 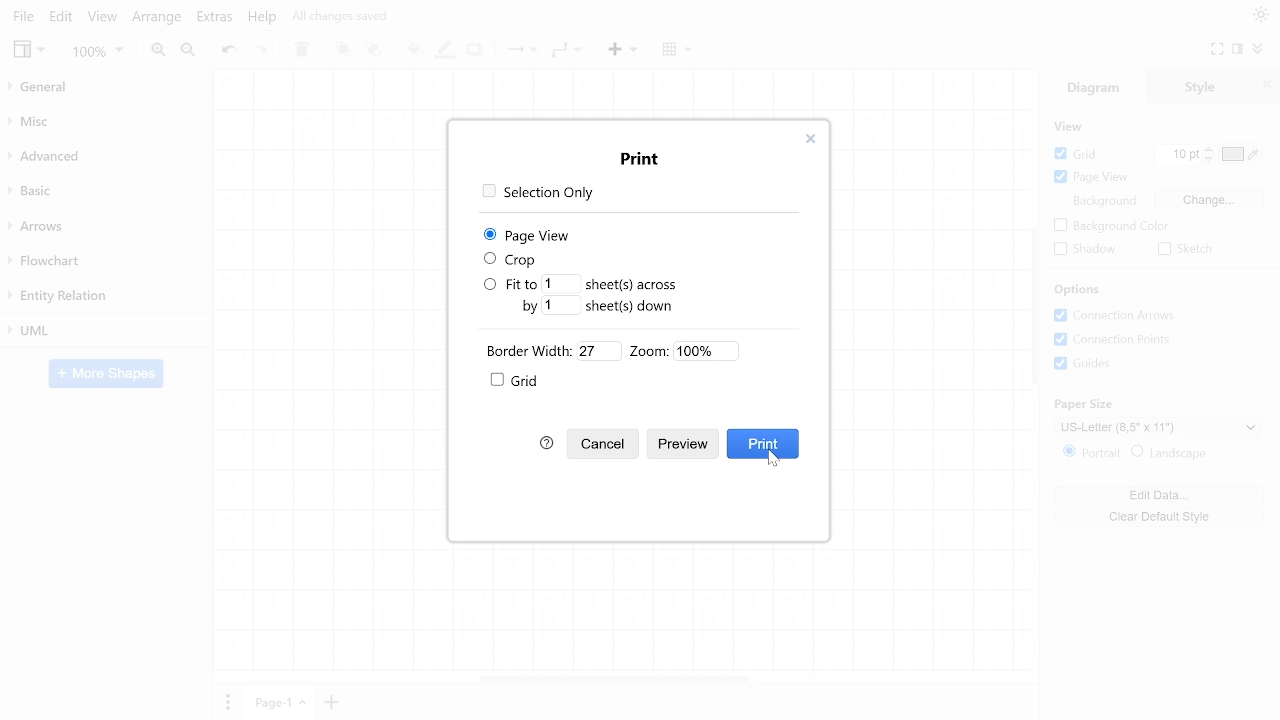 I want to click on View, so click(x=103, y=18).